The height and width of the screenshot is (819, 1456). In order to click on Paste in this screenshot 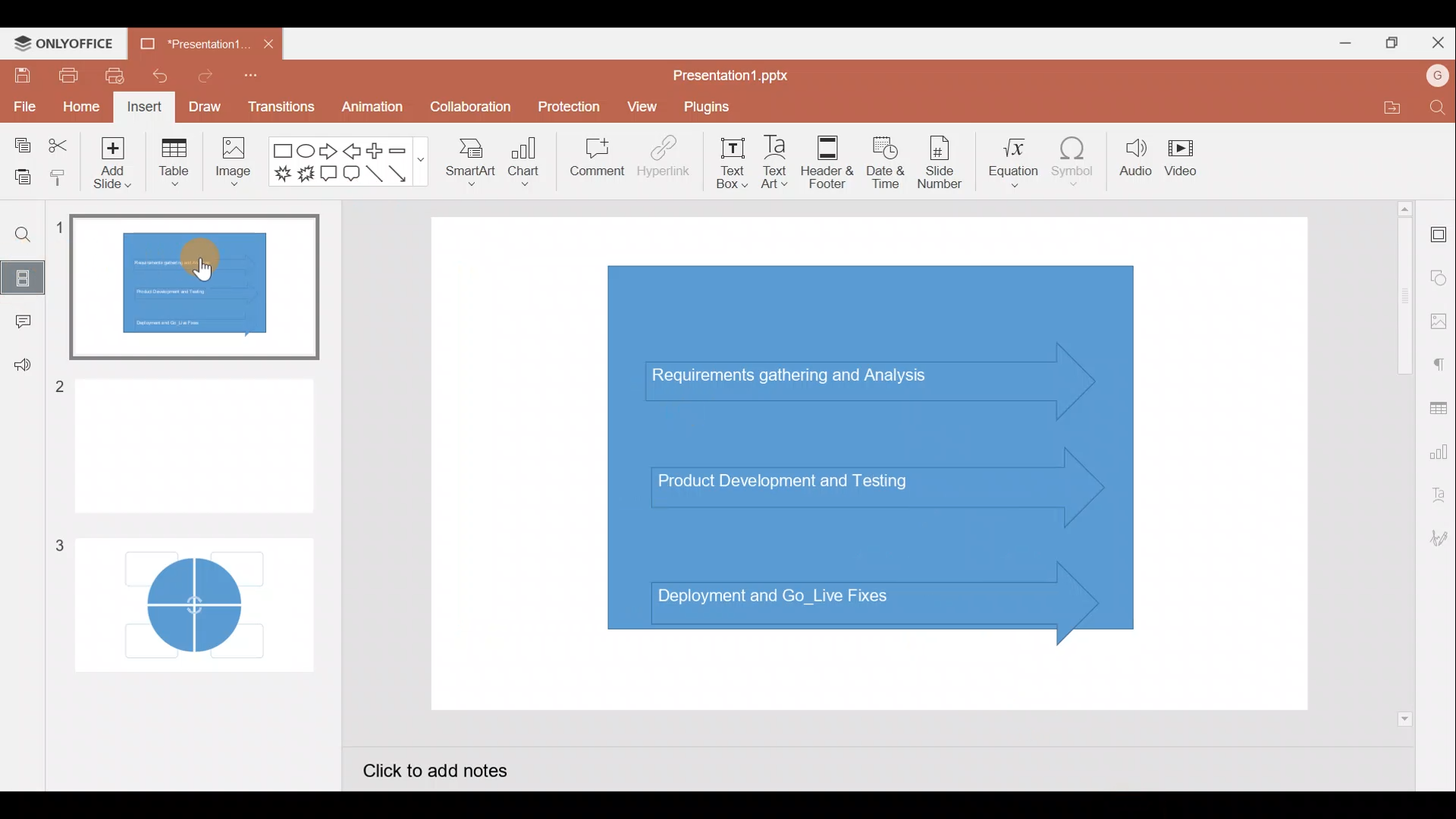, I will do `click(20, 174)`.